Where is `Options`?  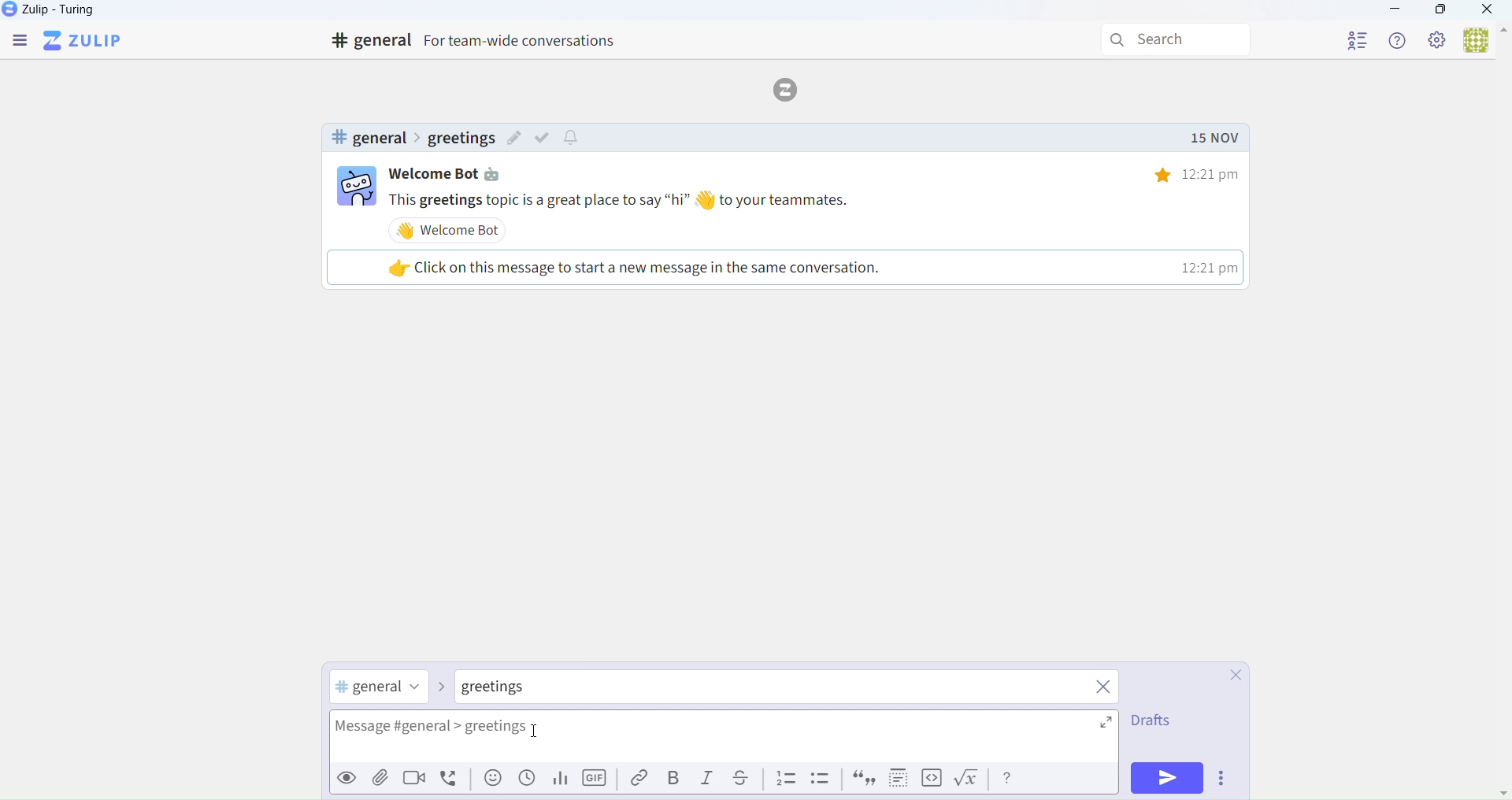 Options is located at coordinates (1225, 780).